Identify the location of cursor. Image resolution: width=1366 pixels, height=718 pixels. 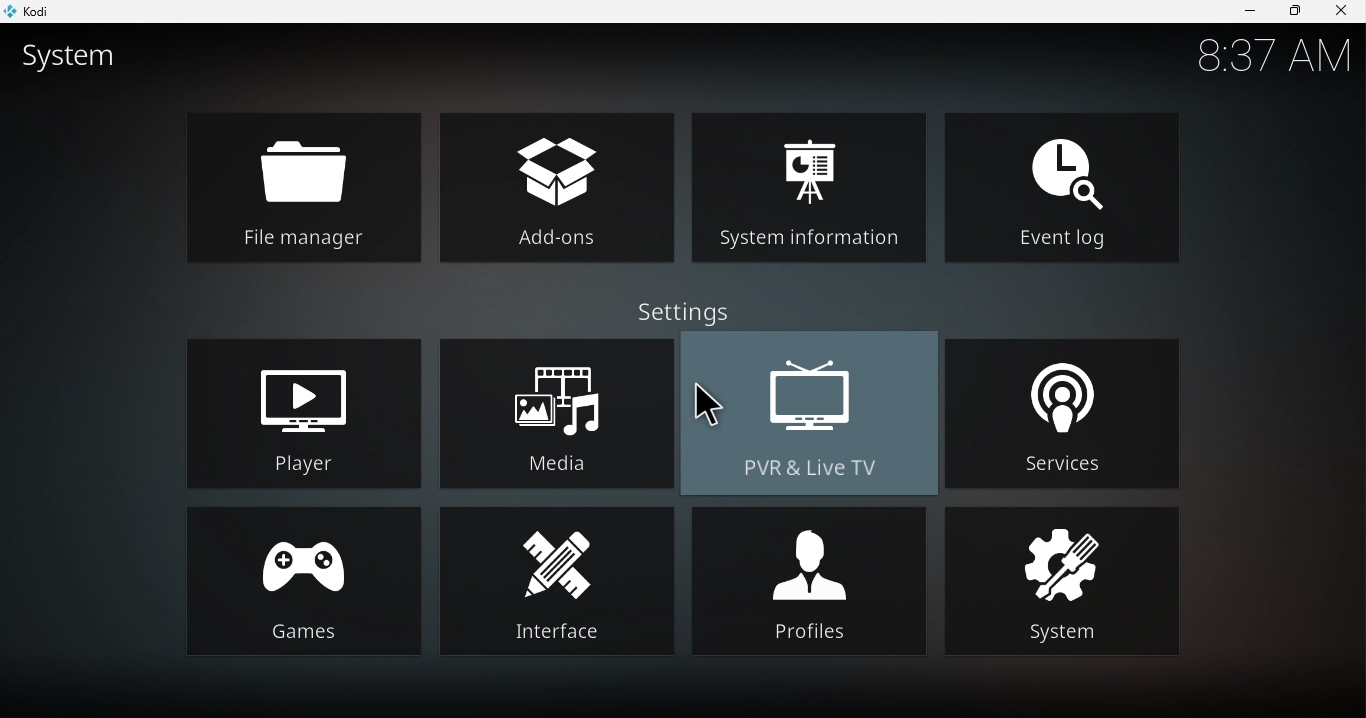
(703, 401).